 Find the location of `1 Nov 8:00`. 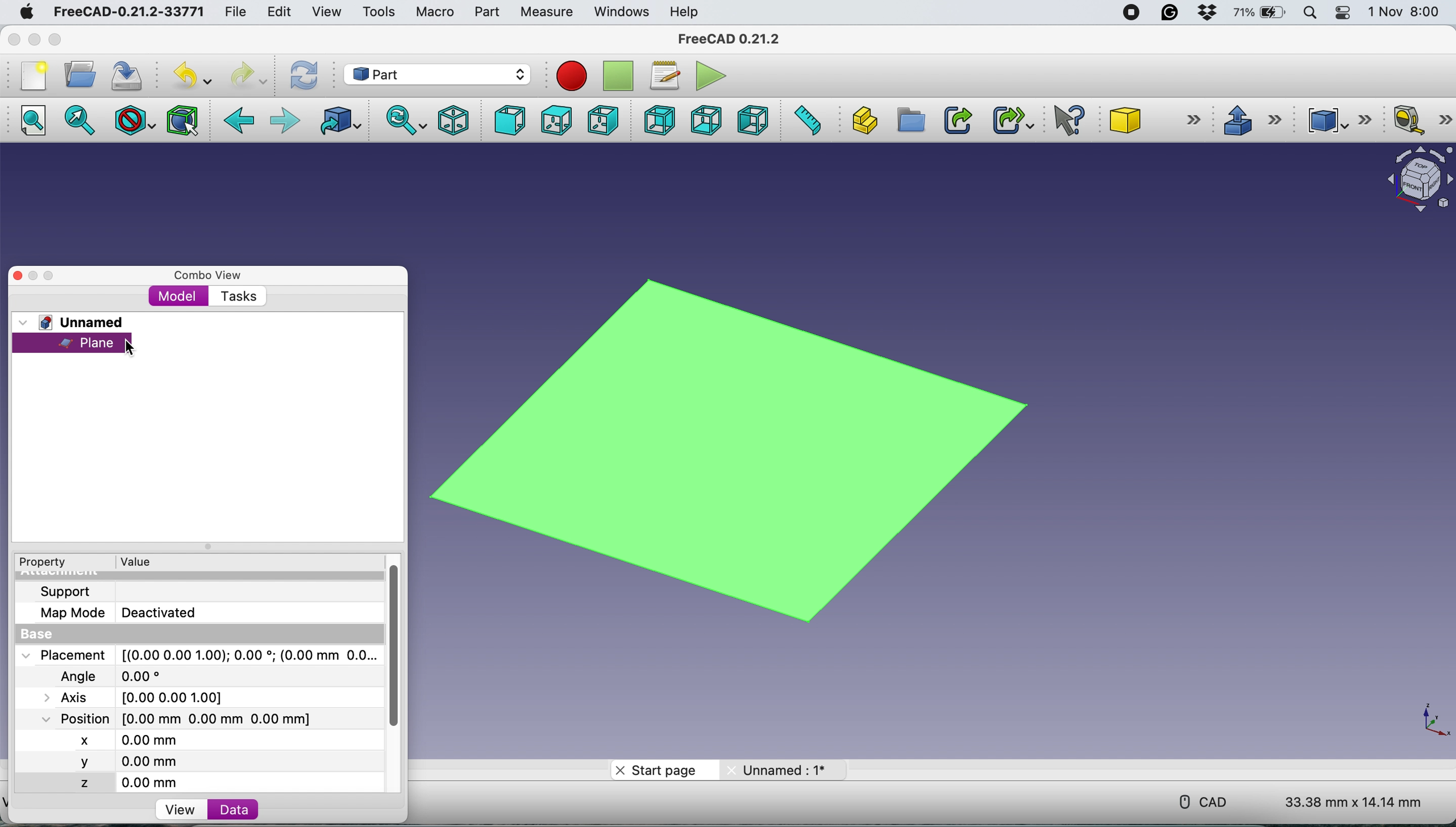

1 Nov 8:00 is located at coordinates (1404, 14).